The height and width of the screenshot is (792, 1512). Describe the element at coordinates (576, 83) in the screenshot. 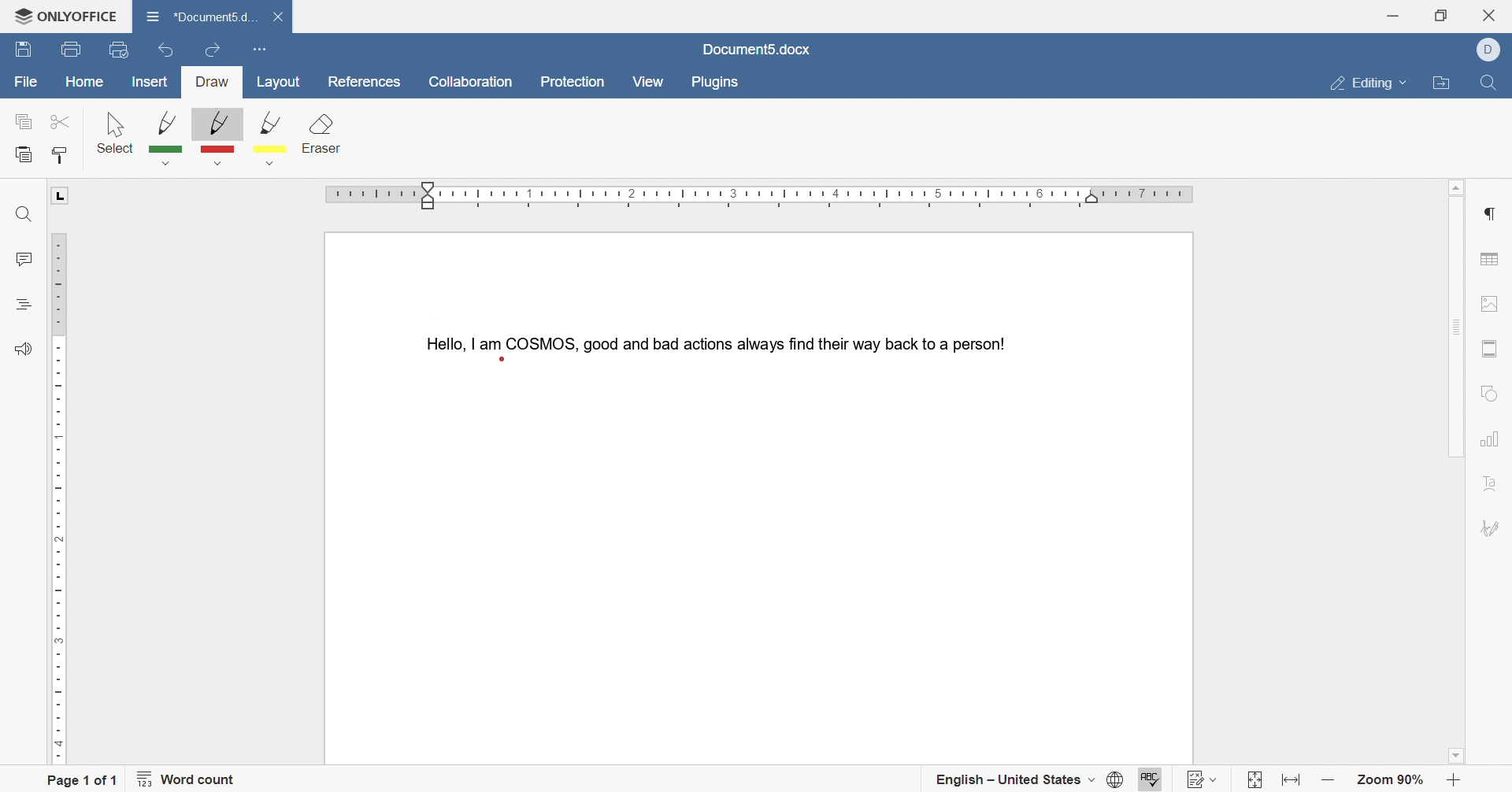

I see `protection` at that location.